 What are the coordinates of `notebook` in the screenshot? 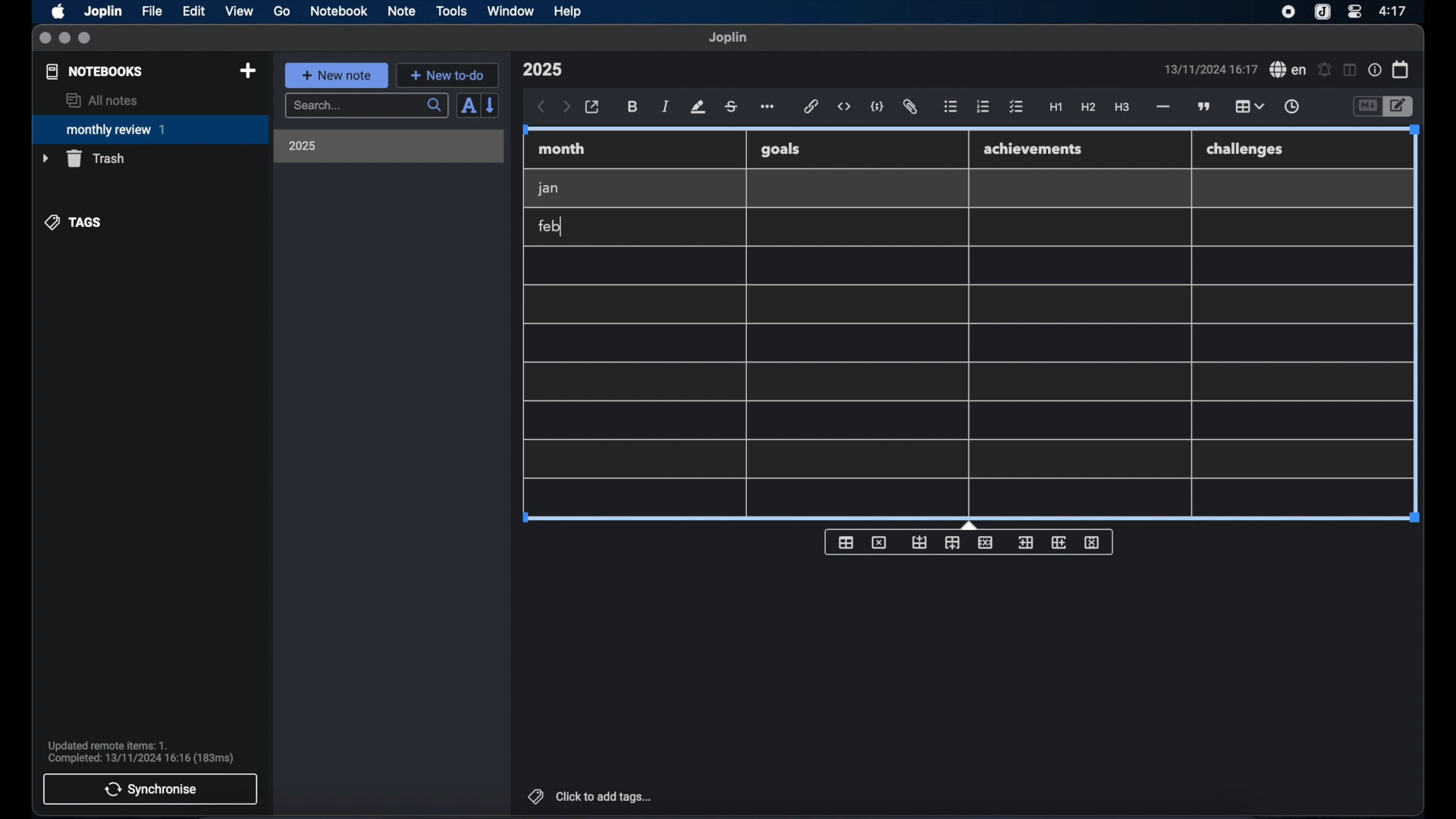 It's located at (339, 11).